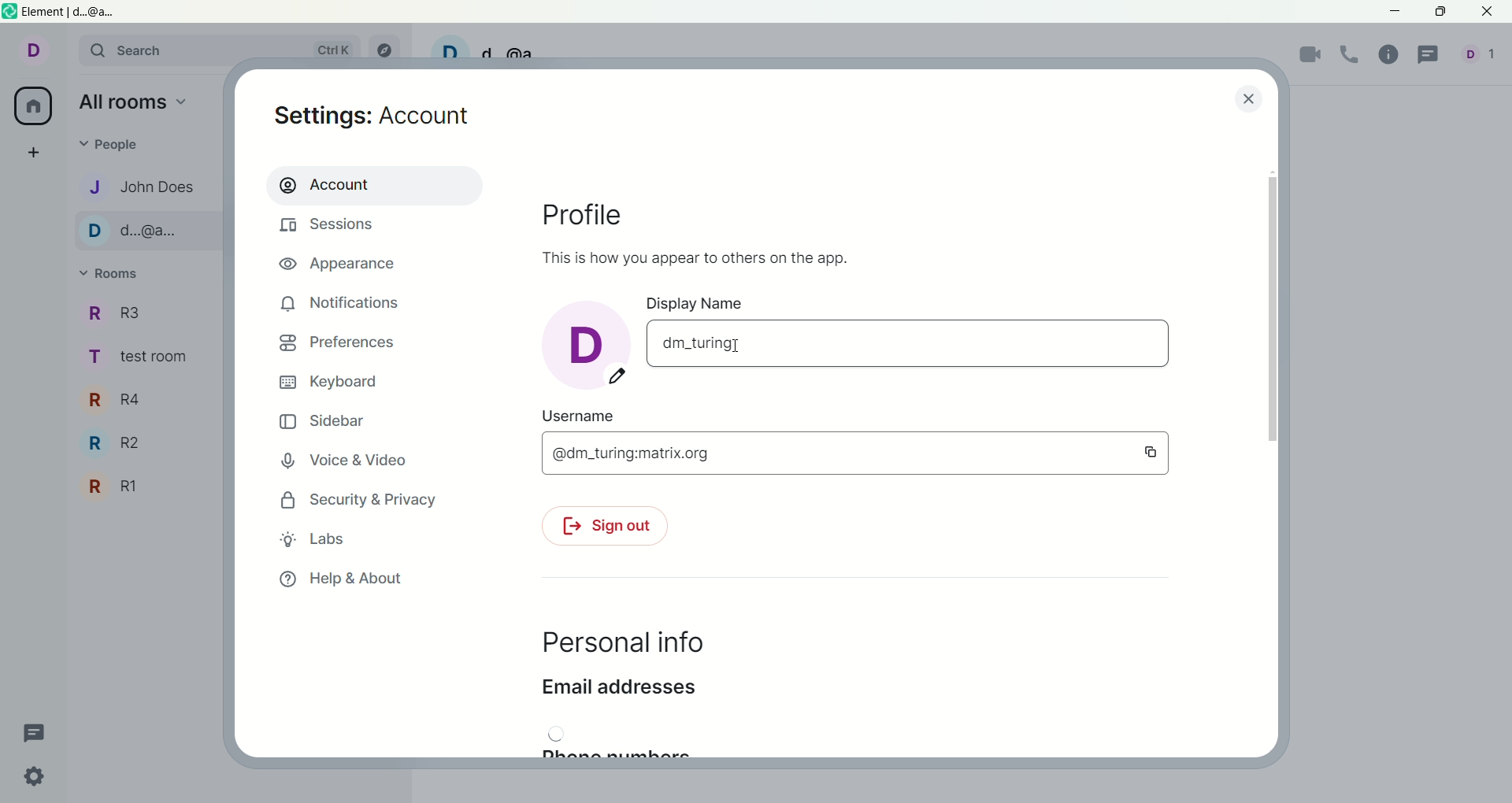 This screenshot has width=1512, height=803. I want to click on sessions, so click(332, 228).